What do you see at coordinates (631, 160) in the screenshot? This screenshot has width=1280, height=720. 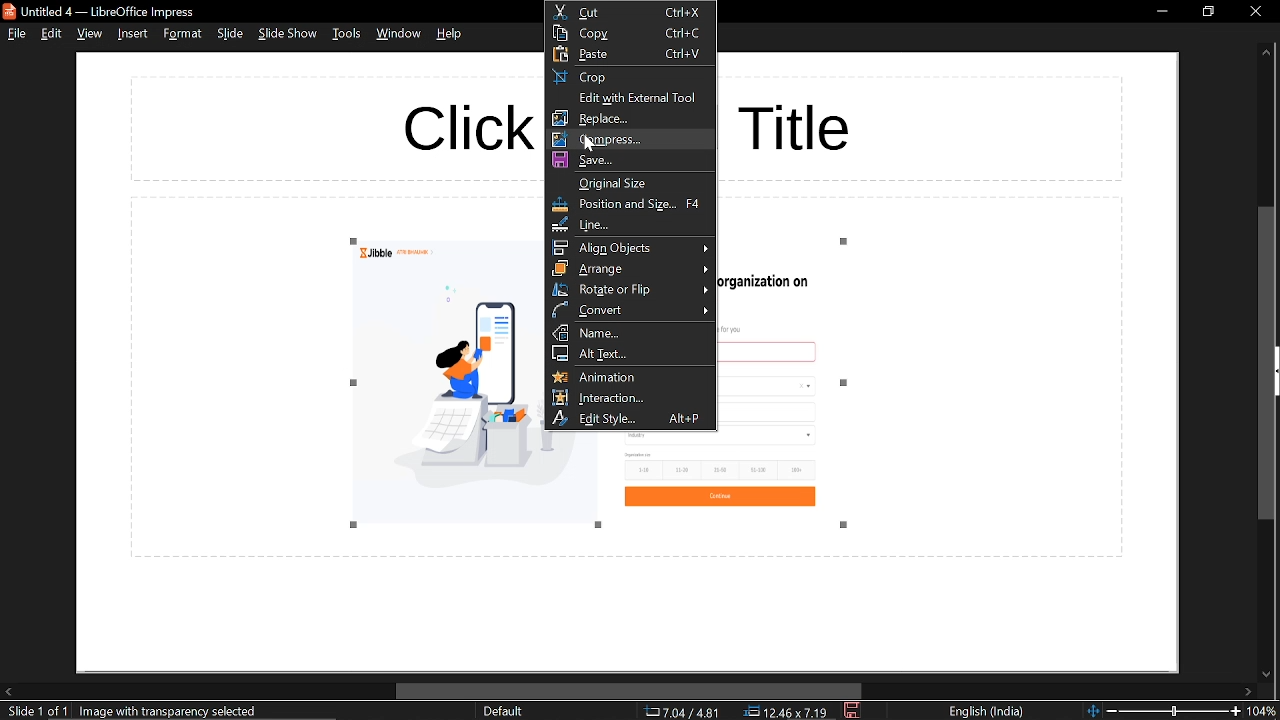 I see `save` at bounding box center [631, 160].